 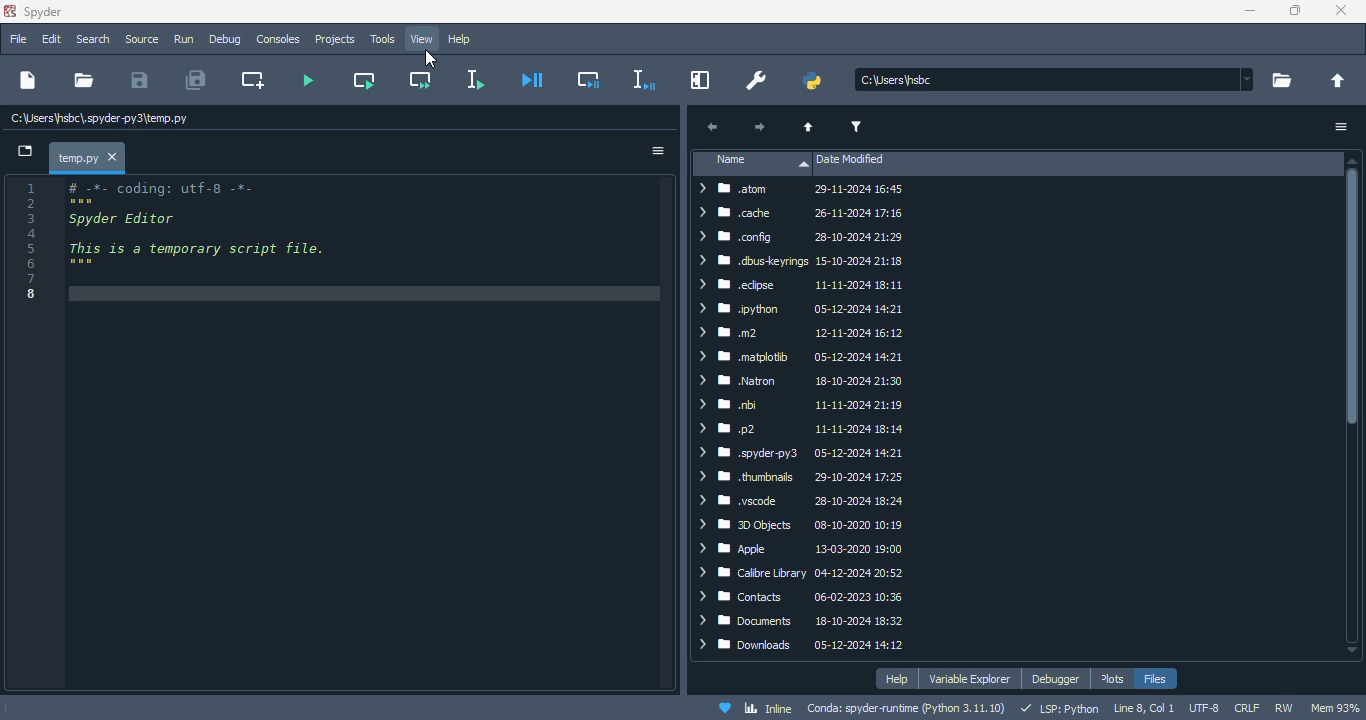 What do you see at coordinates (1281, 81) in the screenshot?
I see `browse a working directory` at bounding box center [1281, 81].